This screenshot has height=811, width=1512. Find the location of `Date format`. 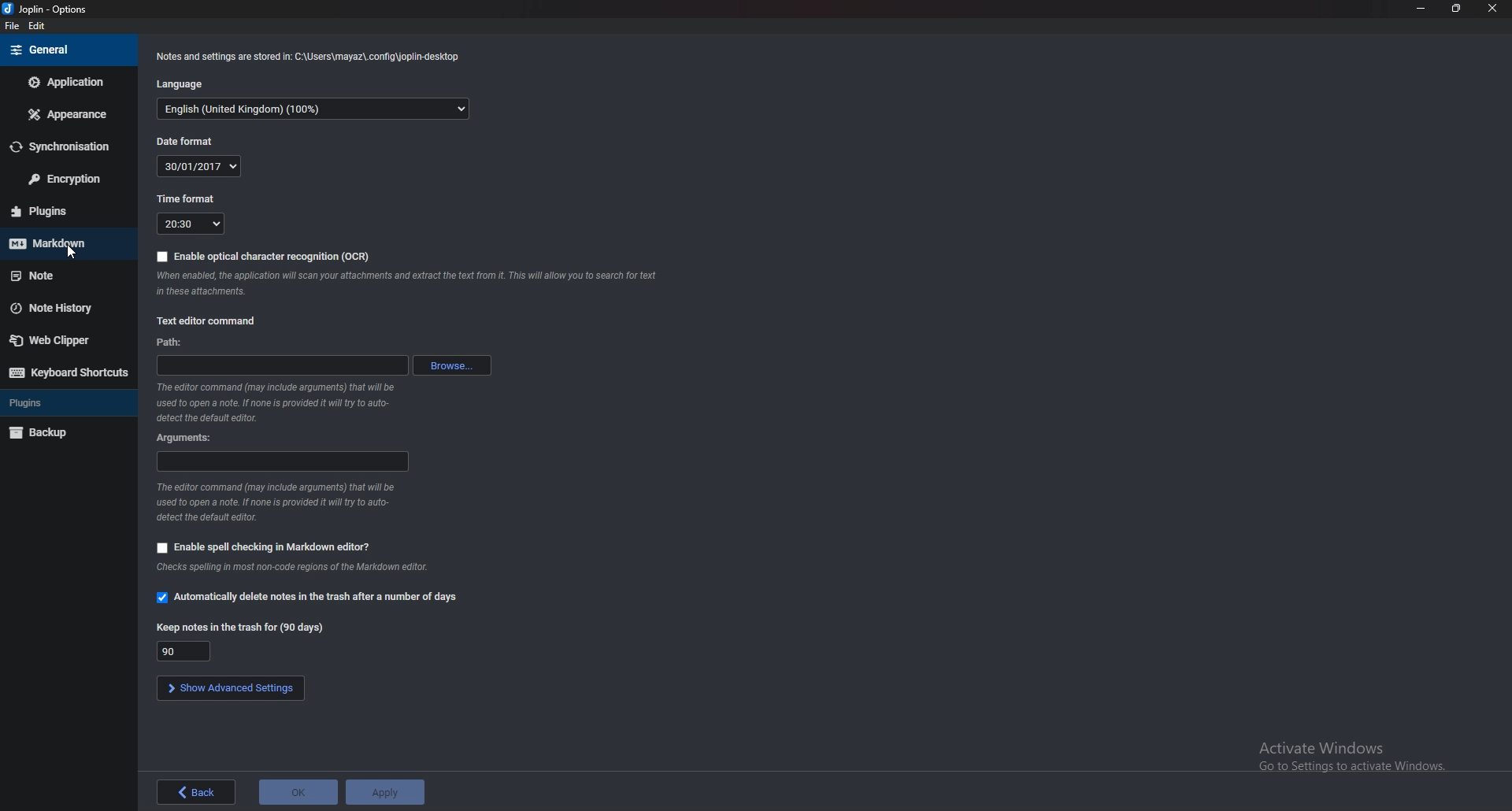

Date format is located at coordinates (190, 141).